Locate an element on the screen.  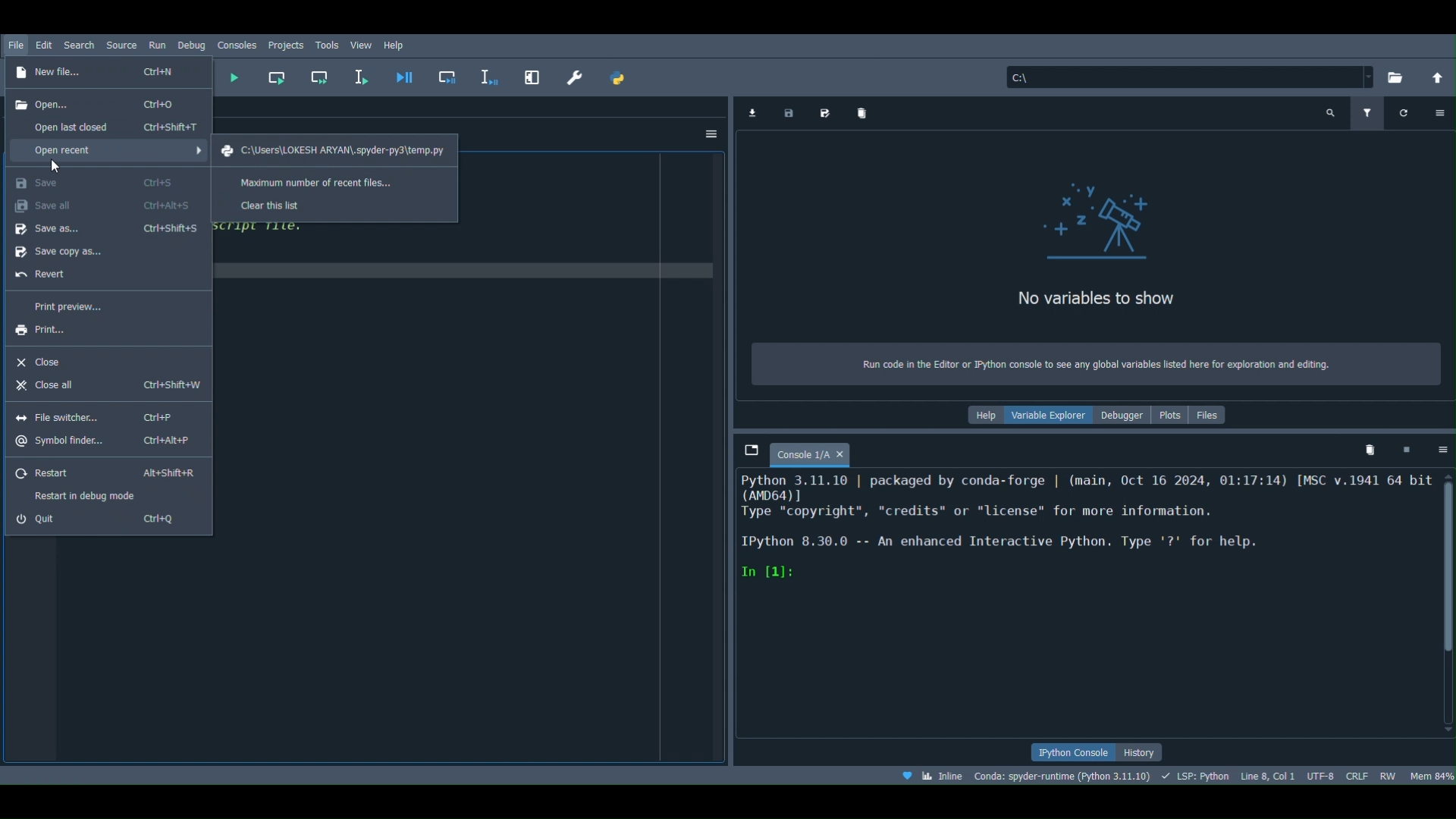
close is located at coordinates (840, 453).